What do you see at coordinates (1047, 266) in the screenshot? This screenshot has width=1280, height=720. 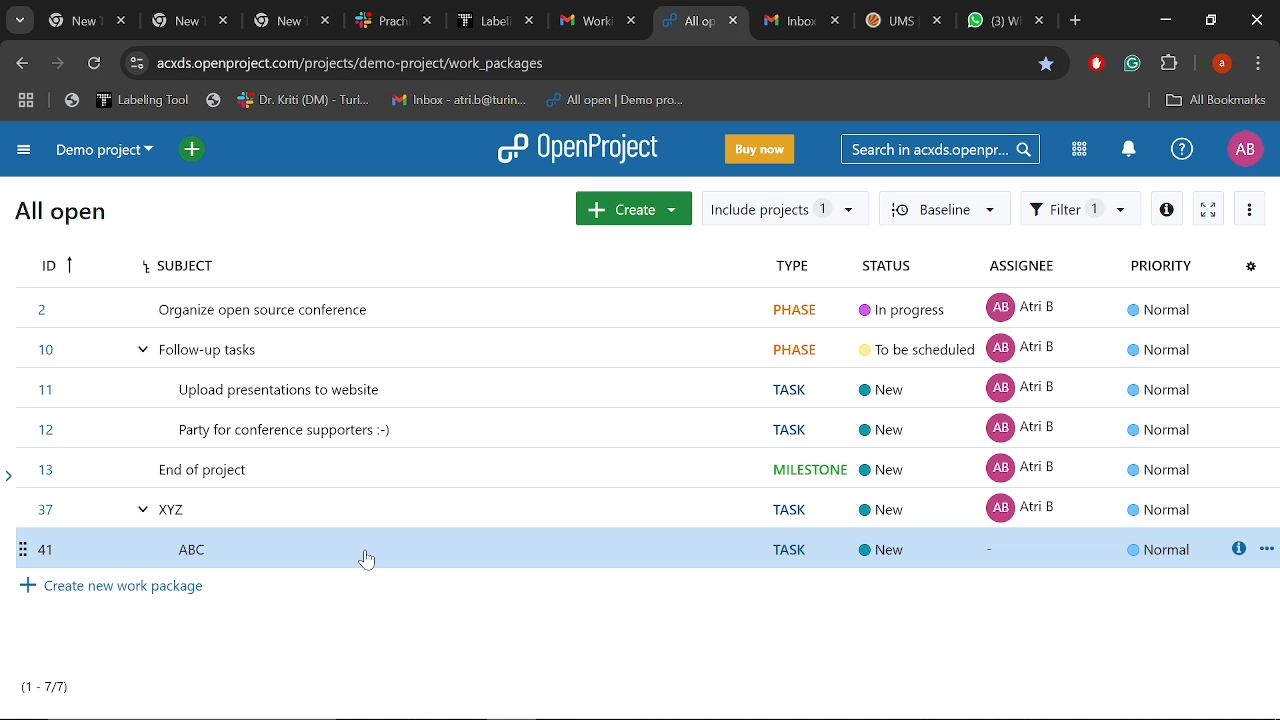 I see `Assignee` at bounding box center [1047, 266].